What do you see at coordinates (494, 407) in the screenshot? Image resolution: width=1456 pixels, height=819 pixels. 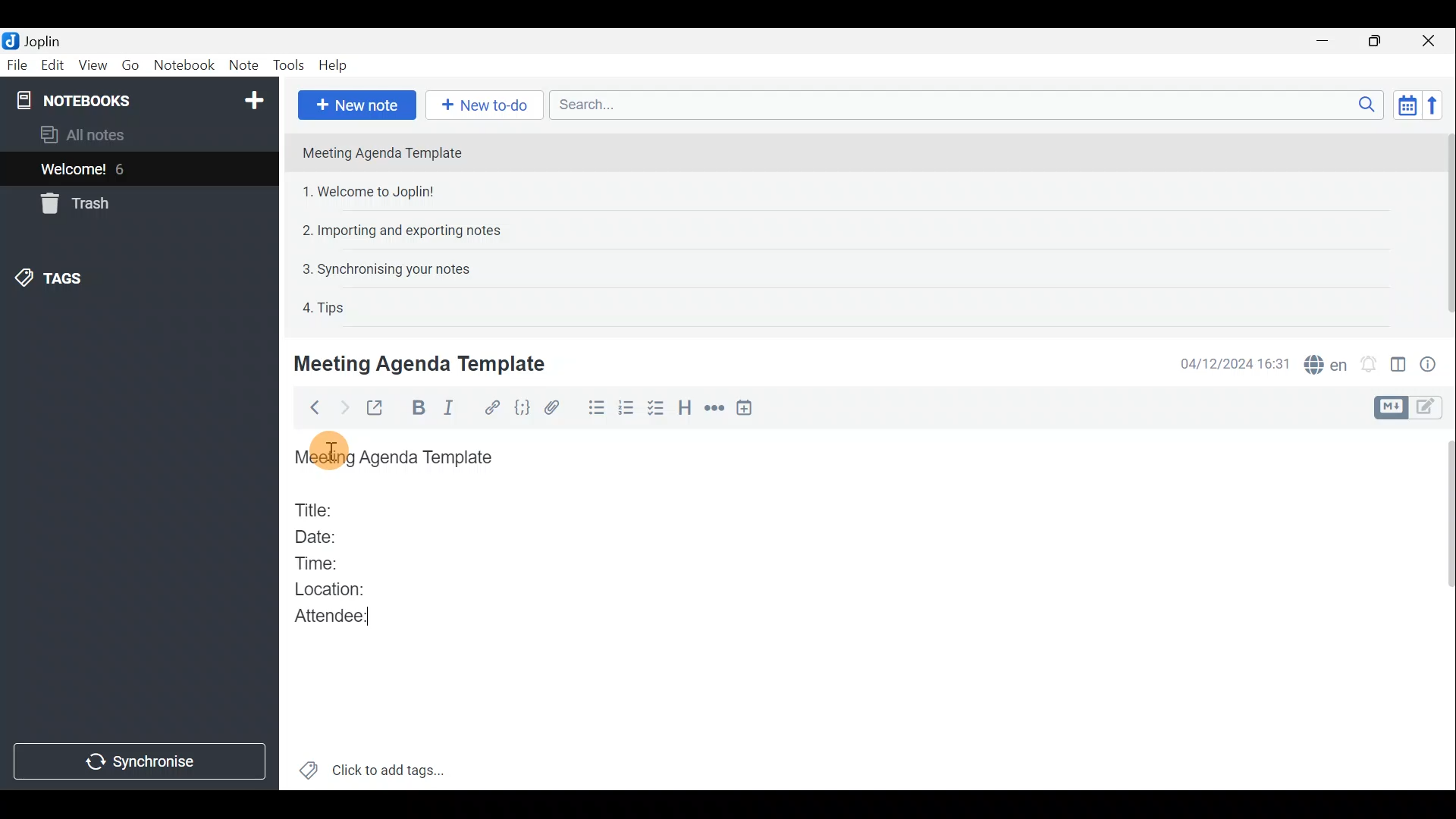 I see `Hyperlink` at bounding box center [494, 407].